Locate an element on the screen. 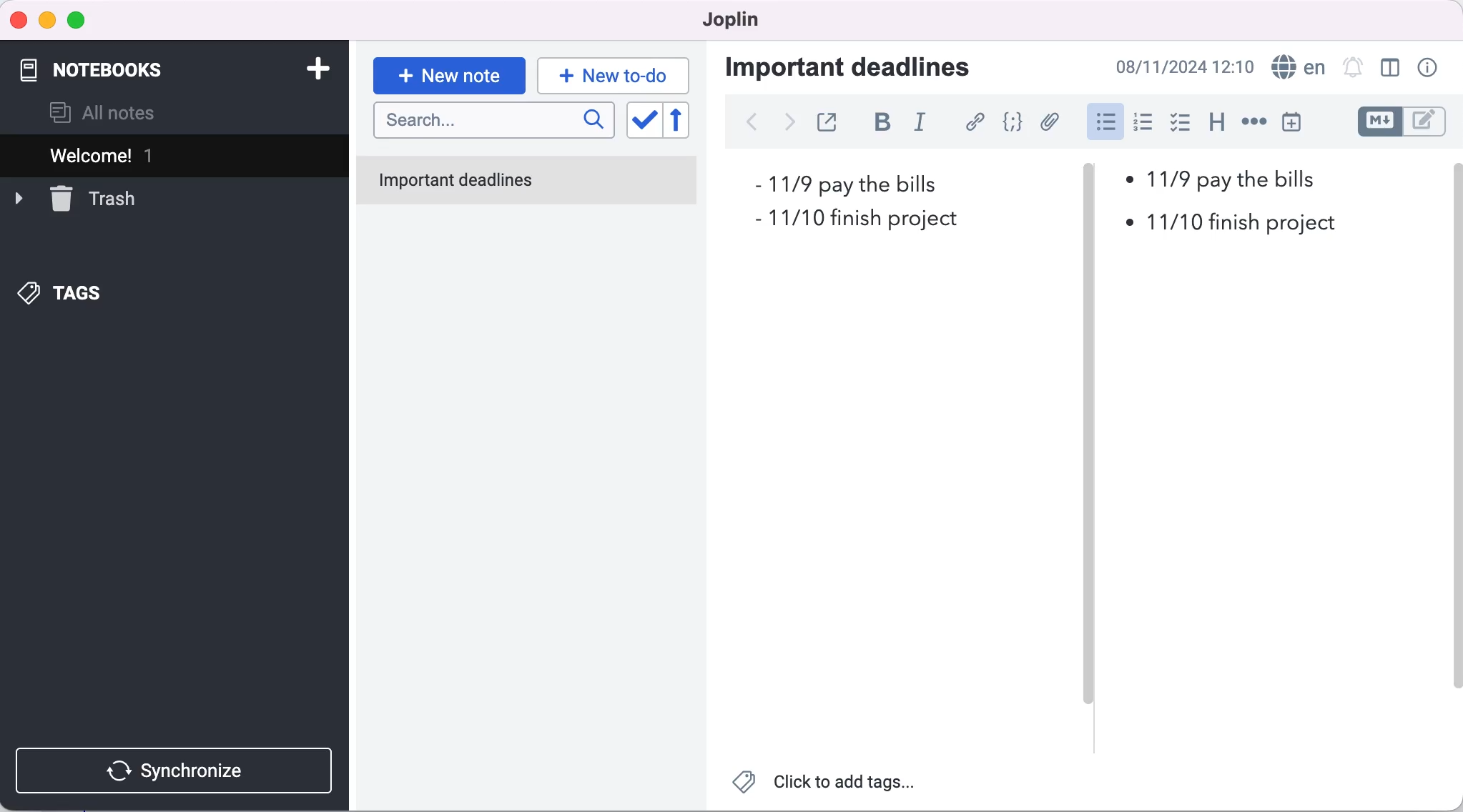  language is located at coordinates (1296, 69).